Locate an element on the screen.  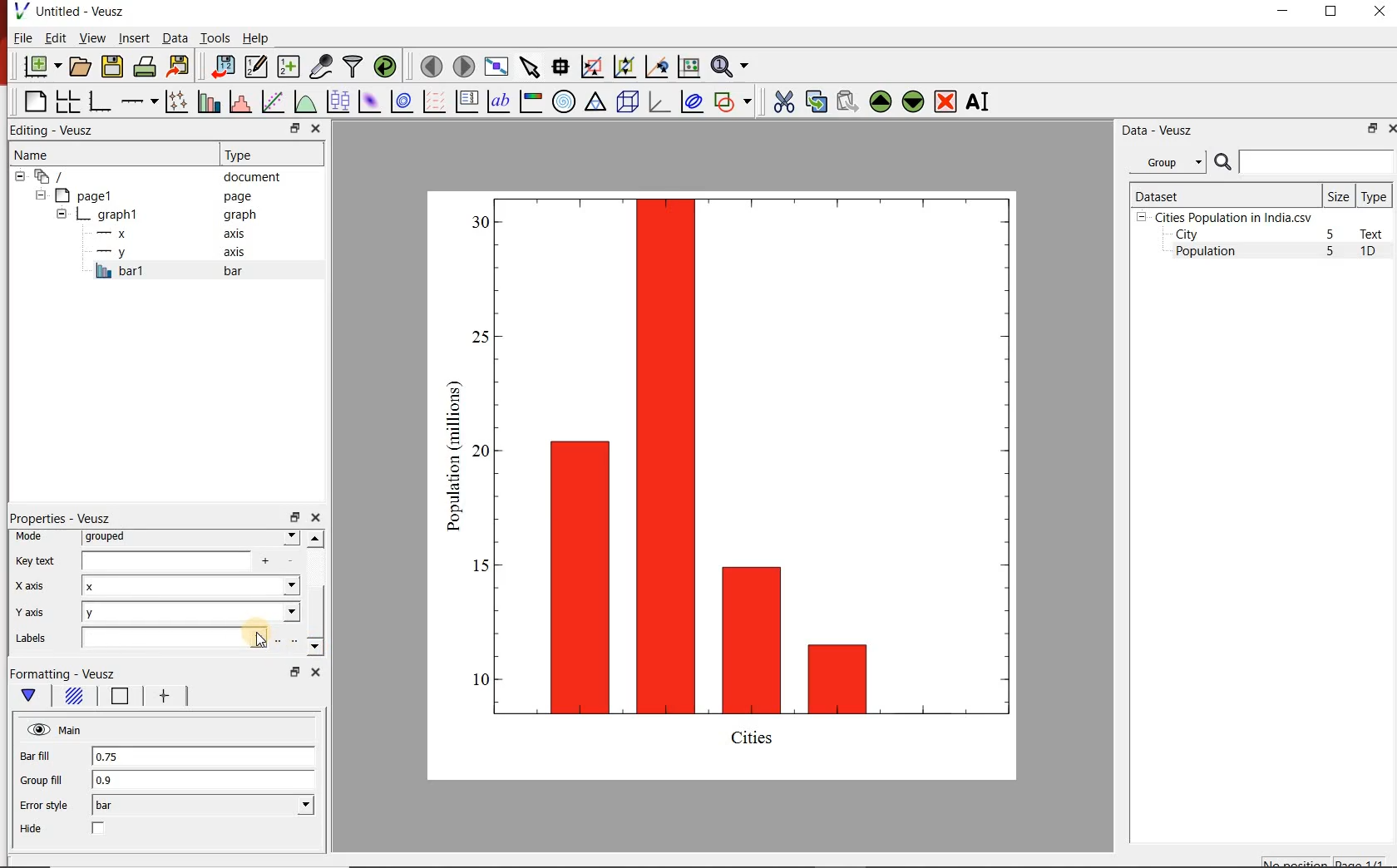
Main formatting is located at coordinates (32, 696).